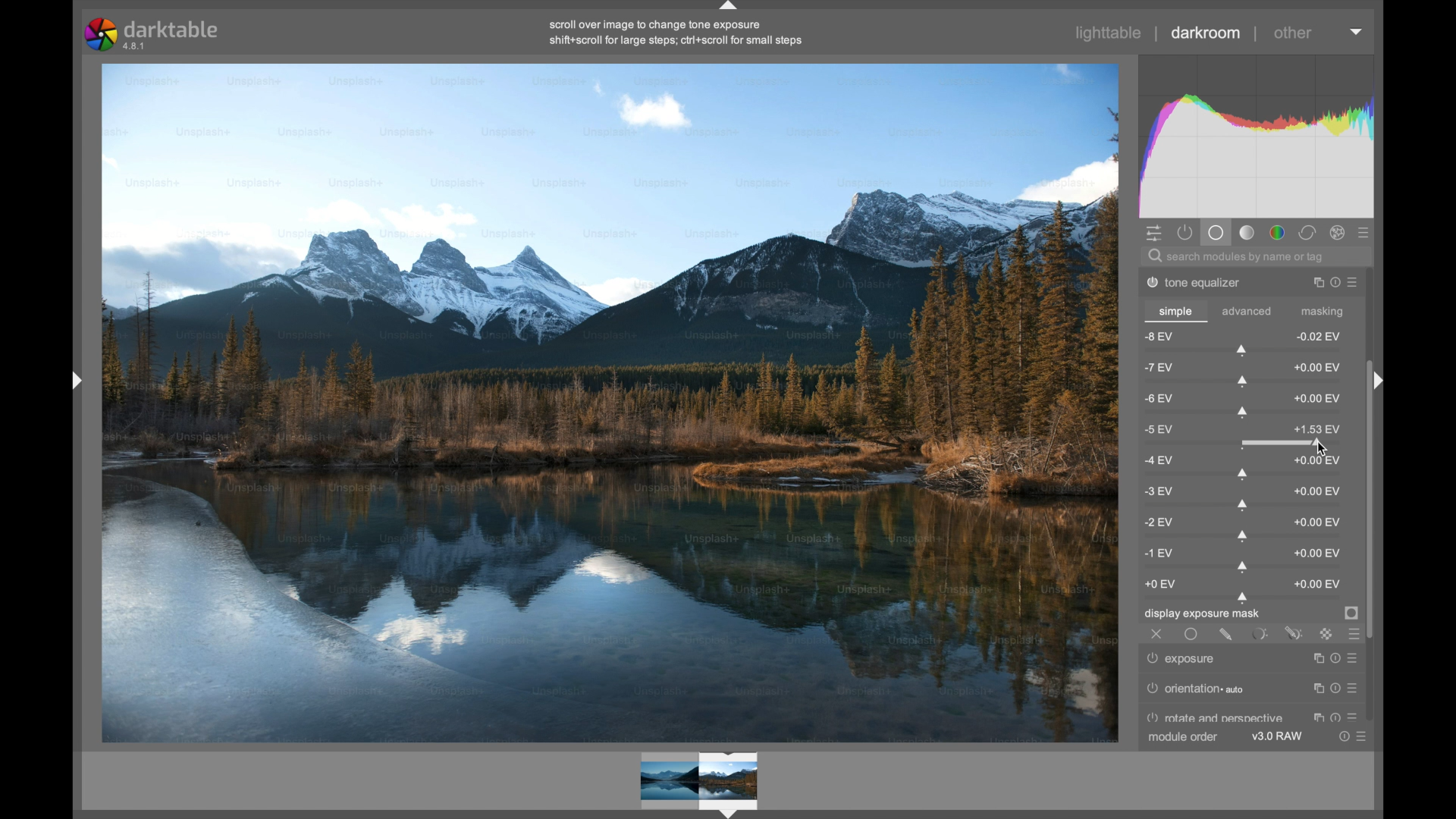 The image size is (1456, 819). What do you see at coordinates (1278, 233) in the screenshot?
I see `color` at bounding box center [1278, 233].